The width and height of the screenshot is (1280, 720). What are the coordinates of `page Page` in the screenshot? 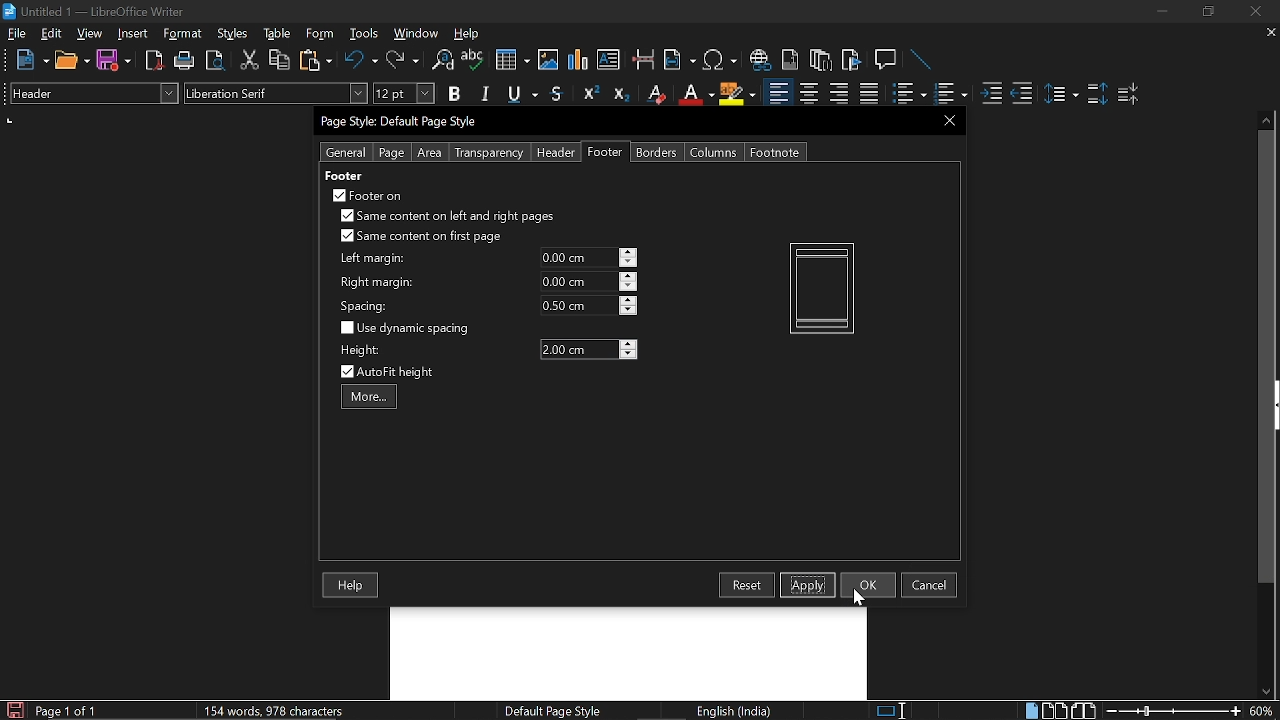 It's located at (391, 153).